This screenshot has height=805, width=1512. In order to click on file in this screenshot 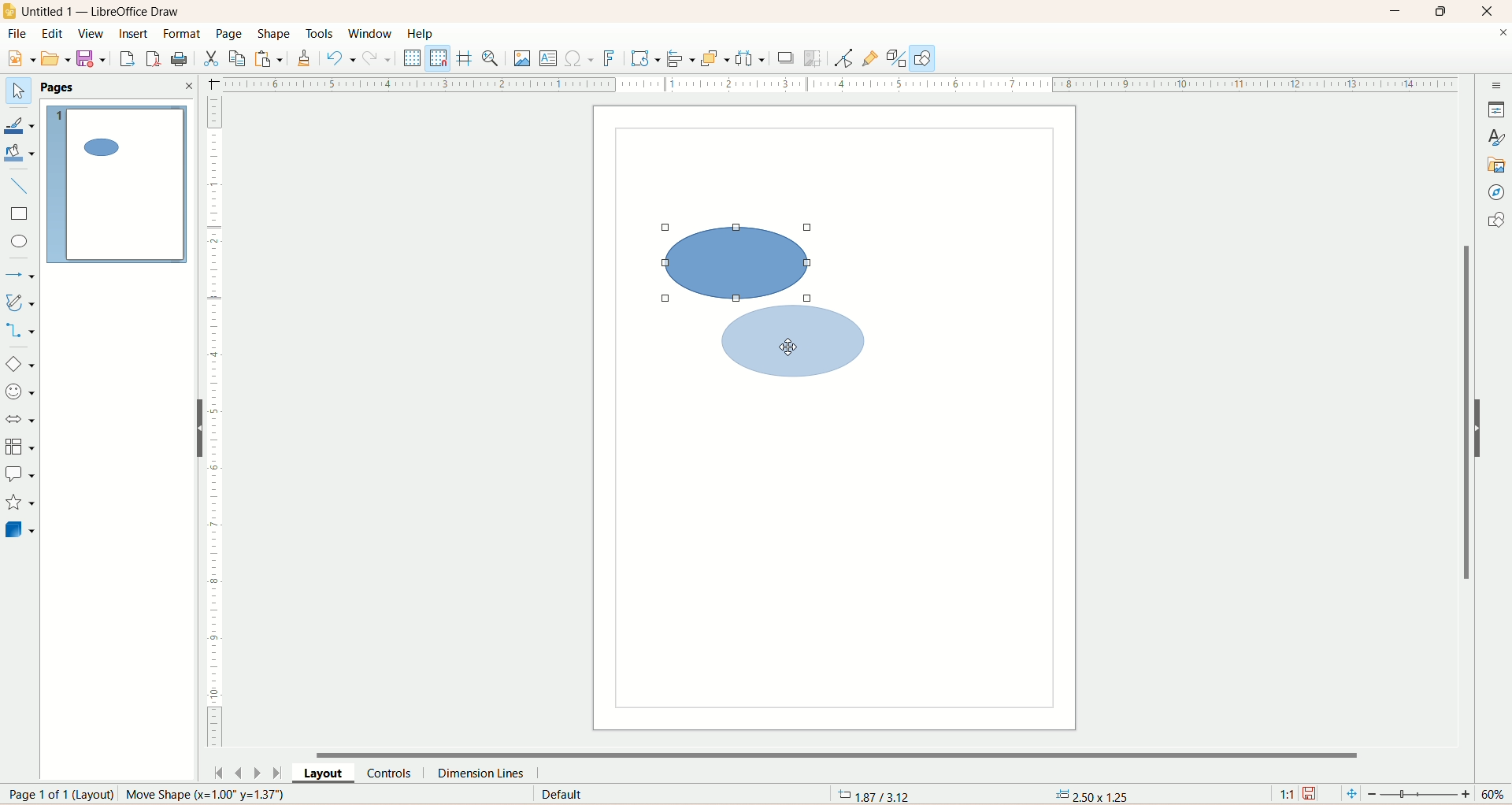, I will do `click(20, 33)`.